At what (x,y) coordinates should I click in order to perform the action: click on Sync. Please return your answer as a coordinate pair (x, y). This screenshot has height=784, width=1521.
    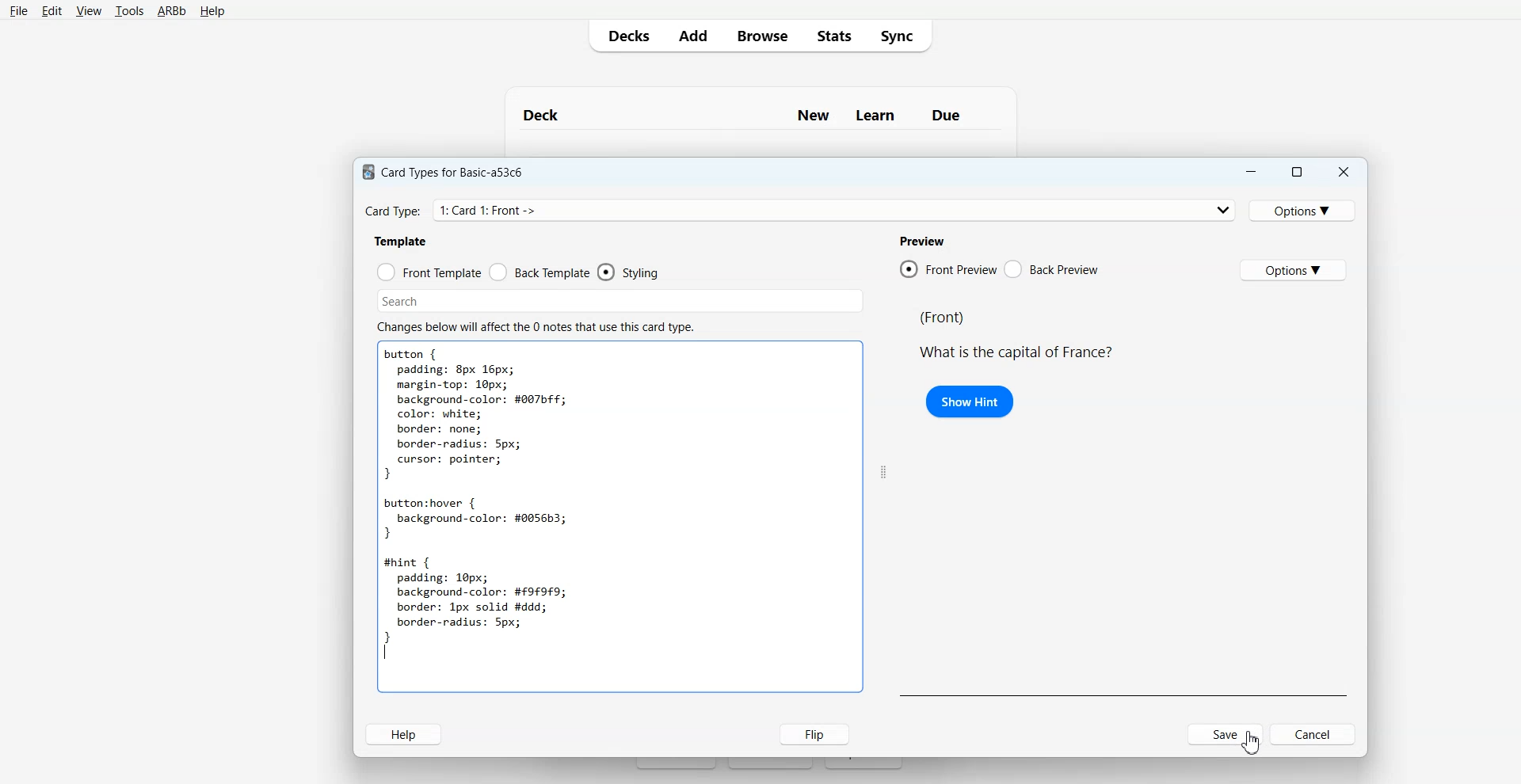
    Looking at the image, I should click on (902, 35).